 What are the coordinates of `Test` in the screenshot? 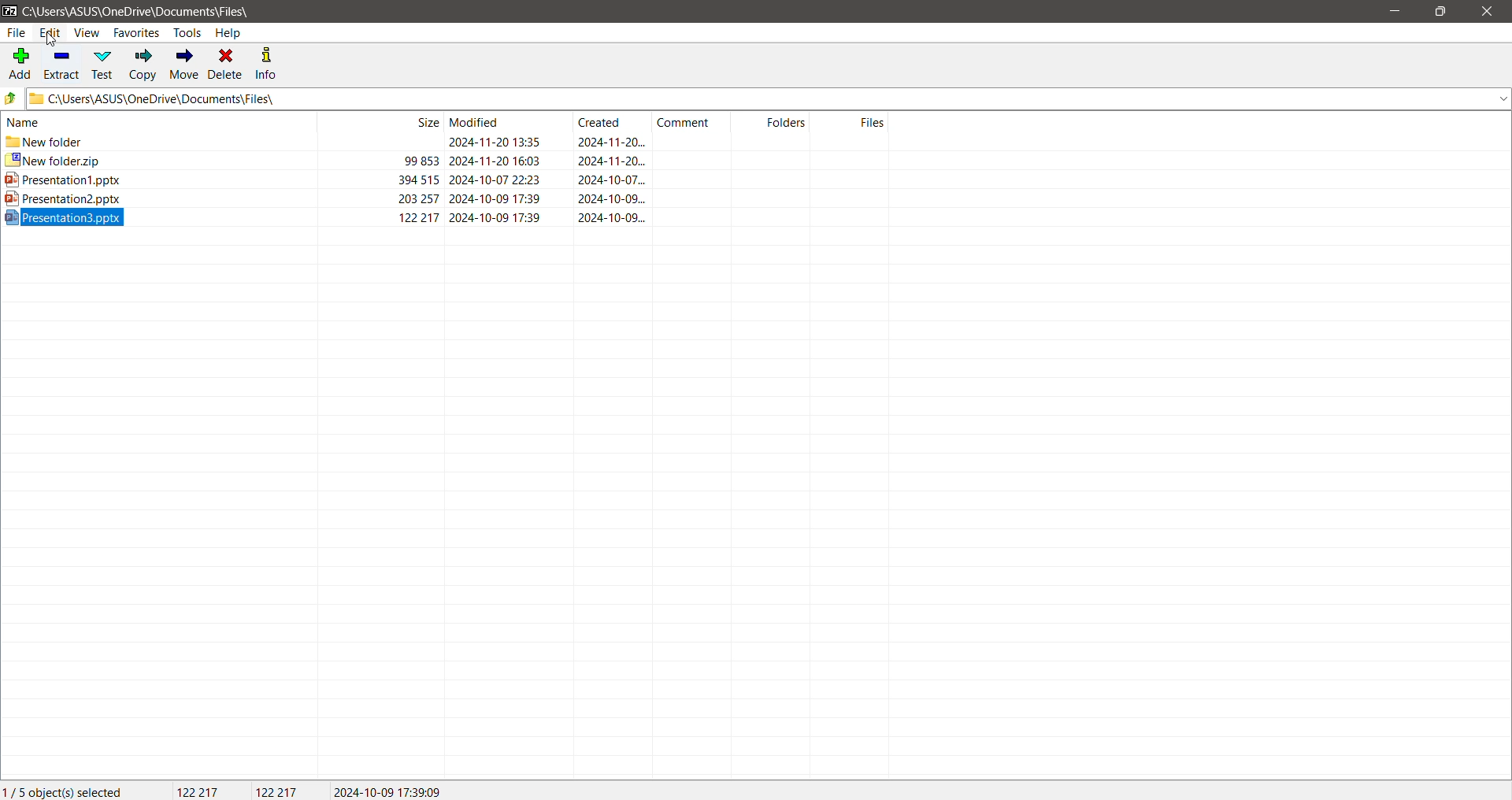 It's located at (105, 64).